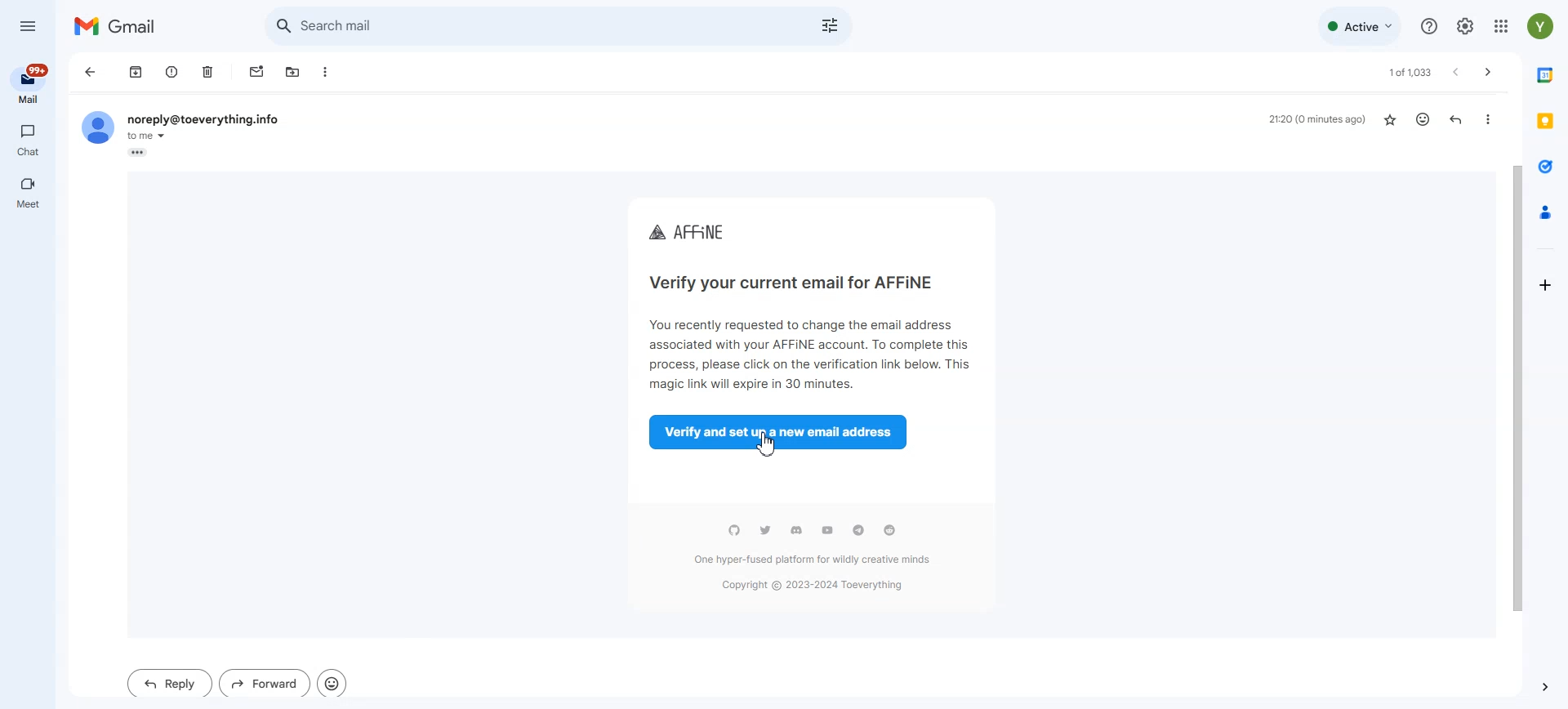 This screenshot has height=709, width=1568. I want to click on Report spam, so click(172, 73).